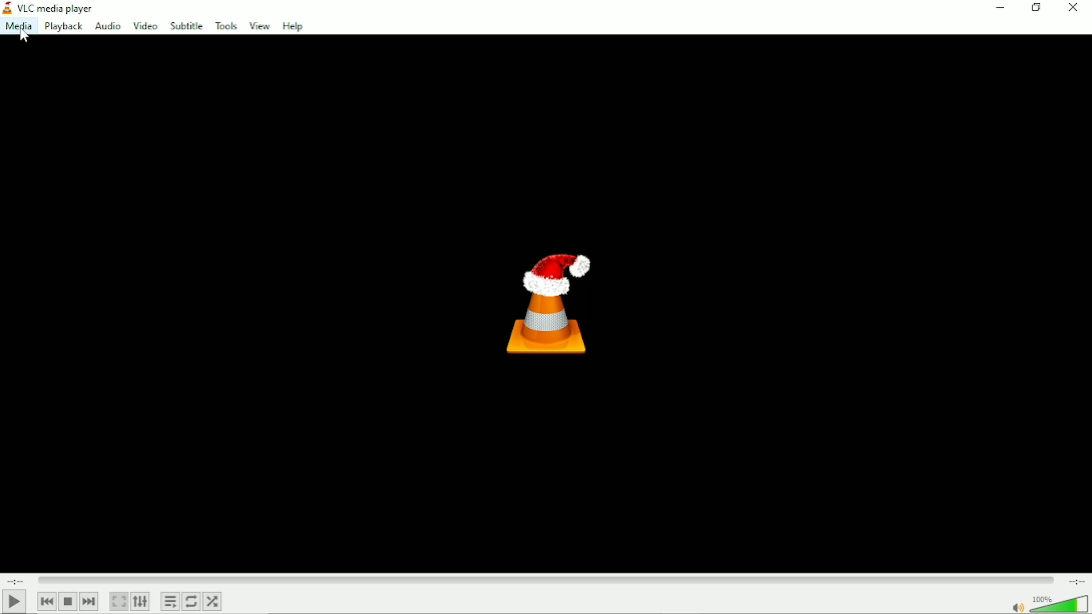 This screenshot has height=614, width=1092. I want to click on Total duration, so click(1074, 580).